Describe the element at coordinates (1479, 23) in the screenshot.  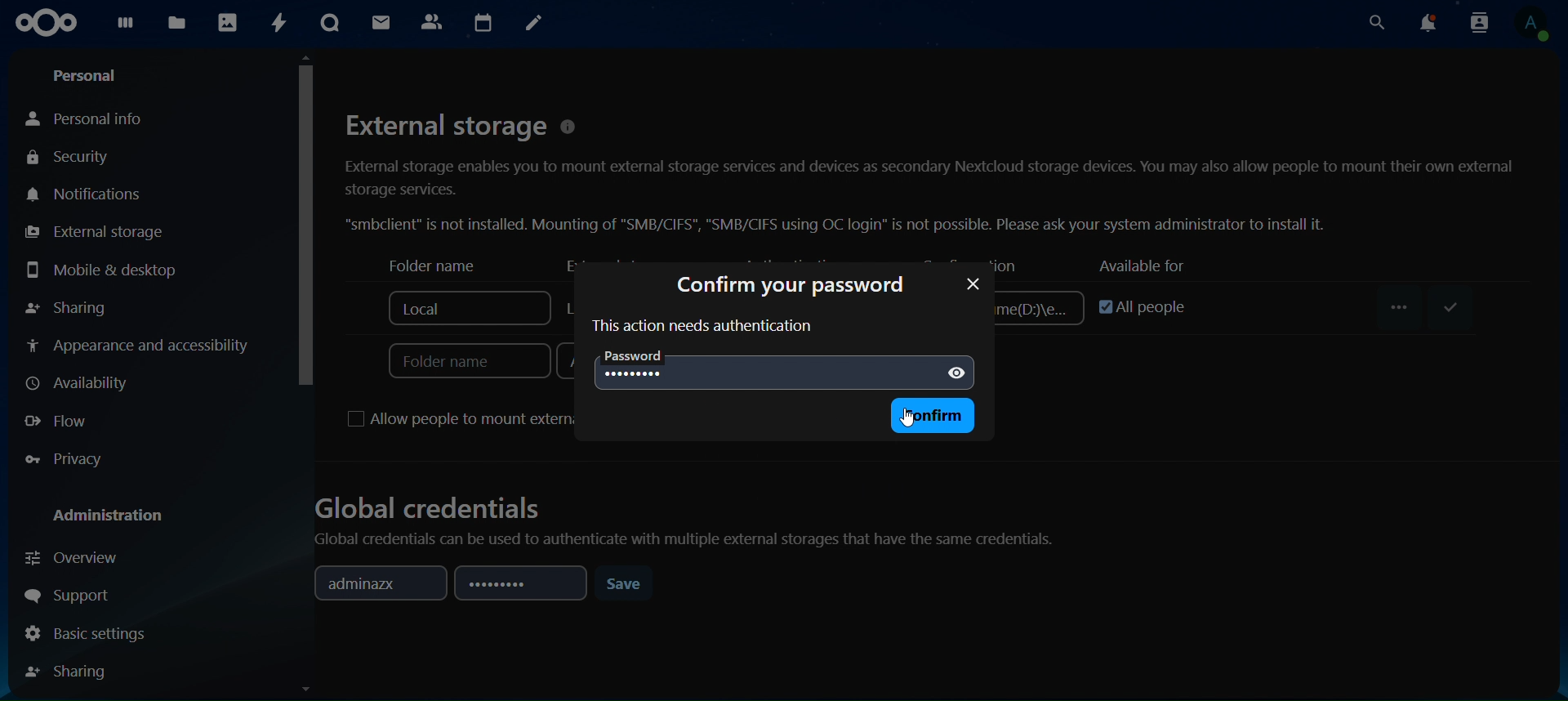
I see `search contacts` at that location.